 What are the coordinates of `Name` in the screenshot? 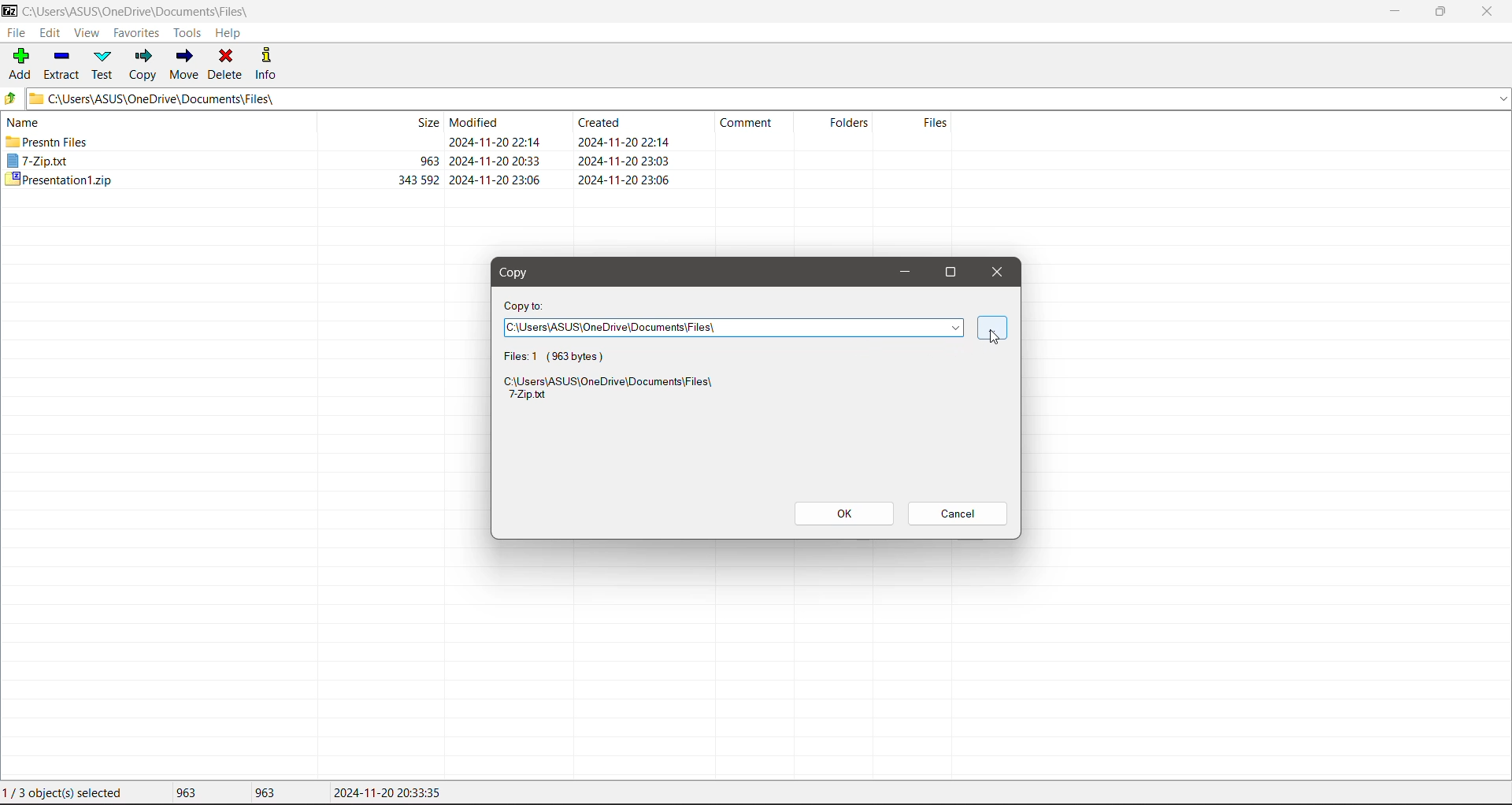 It's located at (27, 121).